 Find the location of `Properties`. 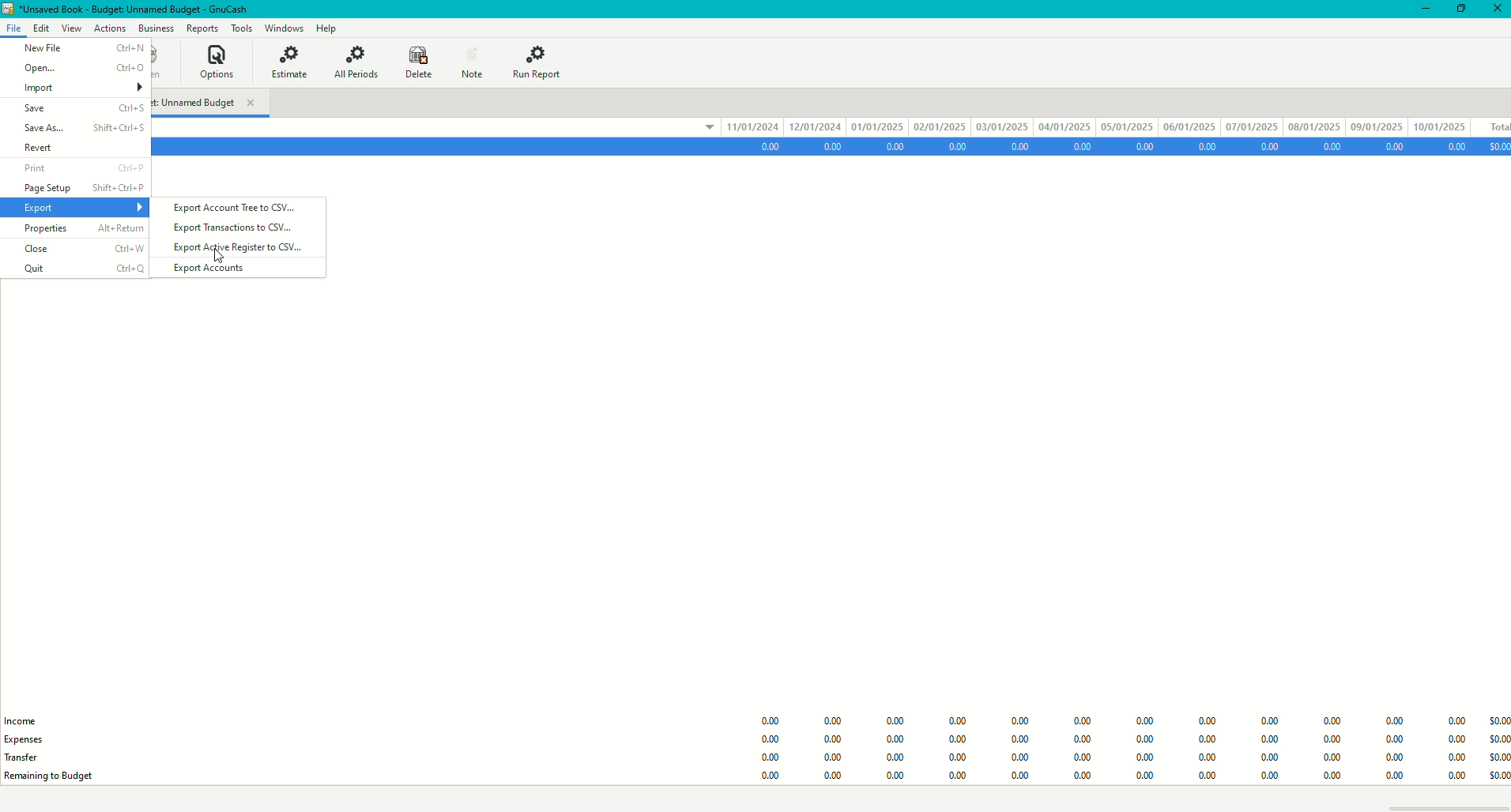

Properties is located at coordinates (78, 229).